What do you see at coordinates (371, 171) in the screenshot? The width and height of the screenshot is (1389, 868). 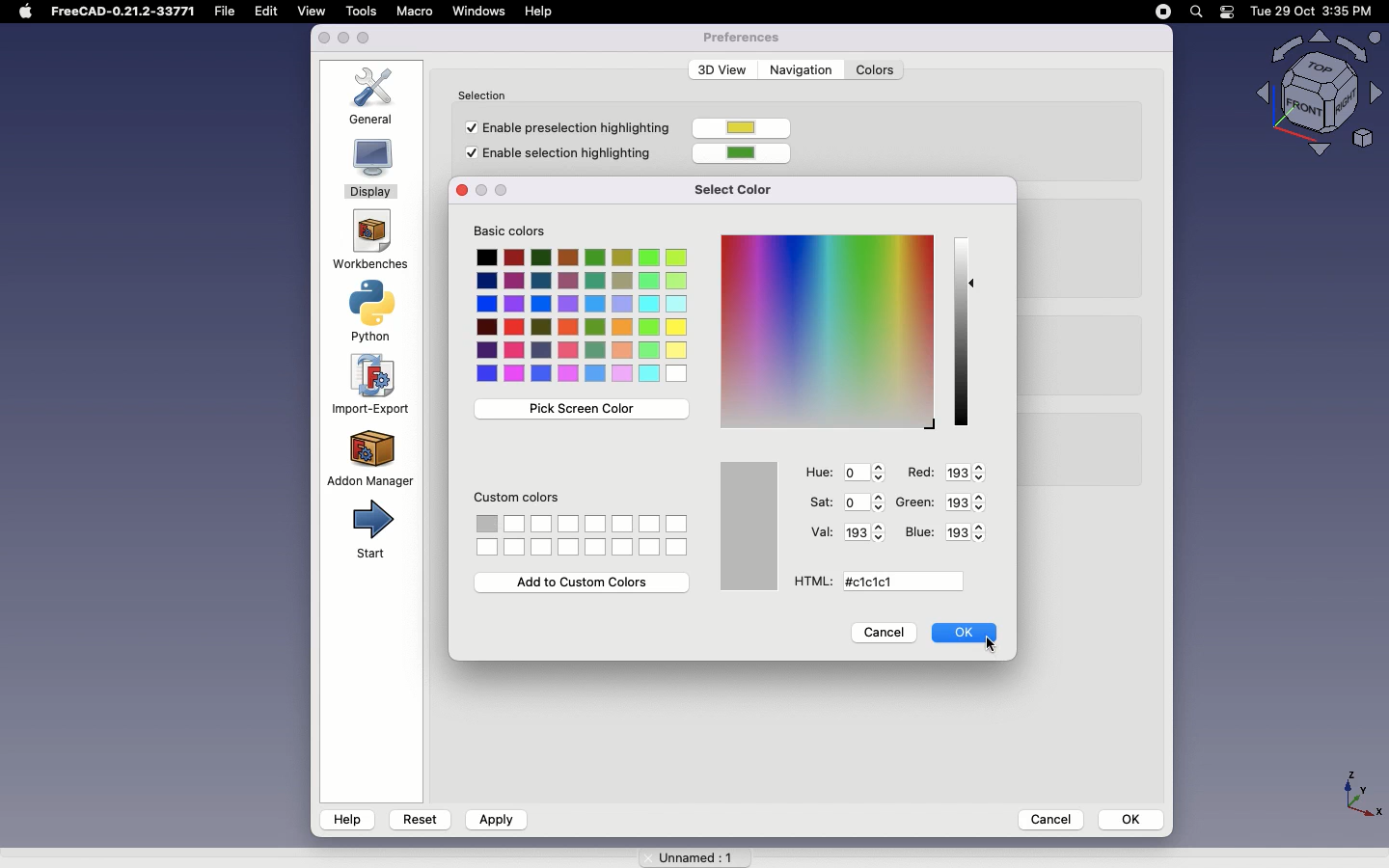 I see `Display ` at bounding box center [371, 171].